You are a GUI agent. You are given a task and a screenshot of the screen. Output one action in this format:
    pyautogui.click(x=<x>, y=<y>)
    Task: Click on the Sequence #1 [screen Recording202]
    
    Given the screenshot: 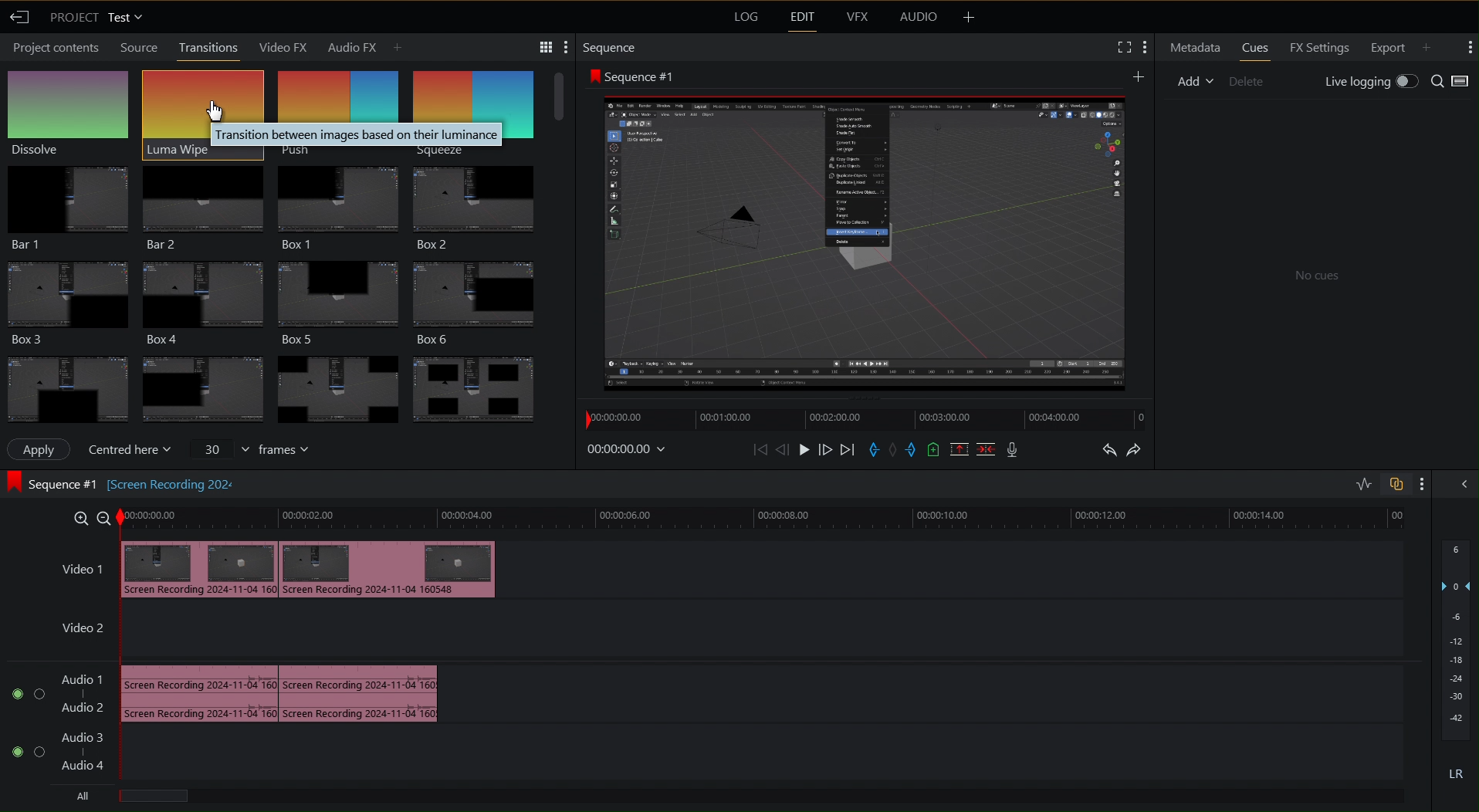 What is the action you would take?
    pyautogui.click(x=121, y=482)
    